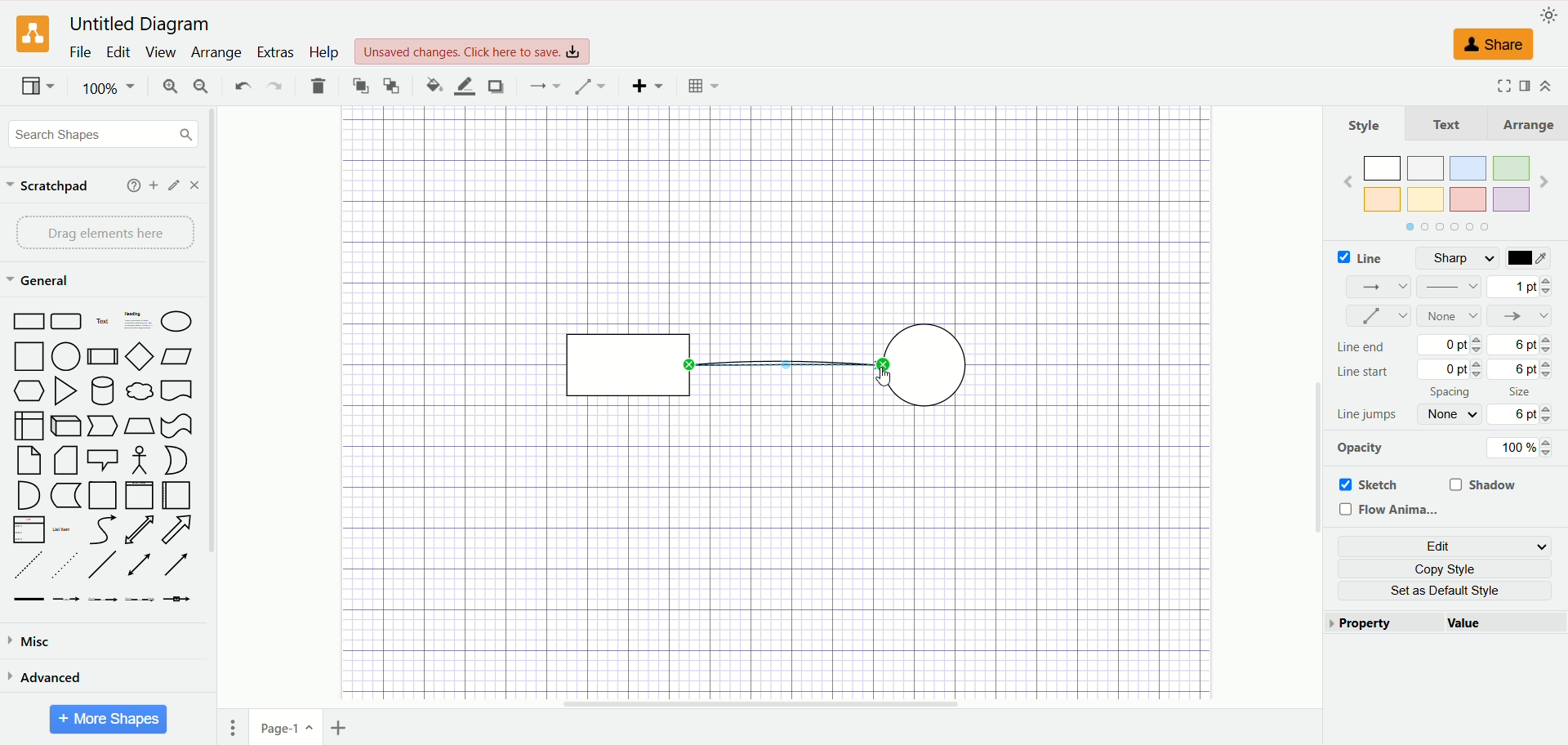 The width and height of the screenshot is (1568, 745). What do you see at coordinates (31, 34) in the screenshot?
I see `logo` at bounding box center [31, 34].